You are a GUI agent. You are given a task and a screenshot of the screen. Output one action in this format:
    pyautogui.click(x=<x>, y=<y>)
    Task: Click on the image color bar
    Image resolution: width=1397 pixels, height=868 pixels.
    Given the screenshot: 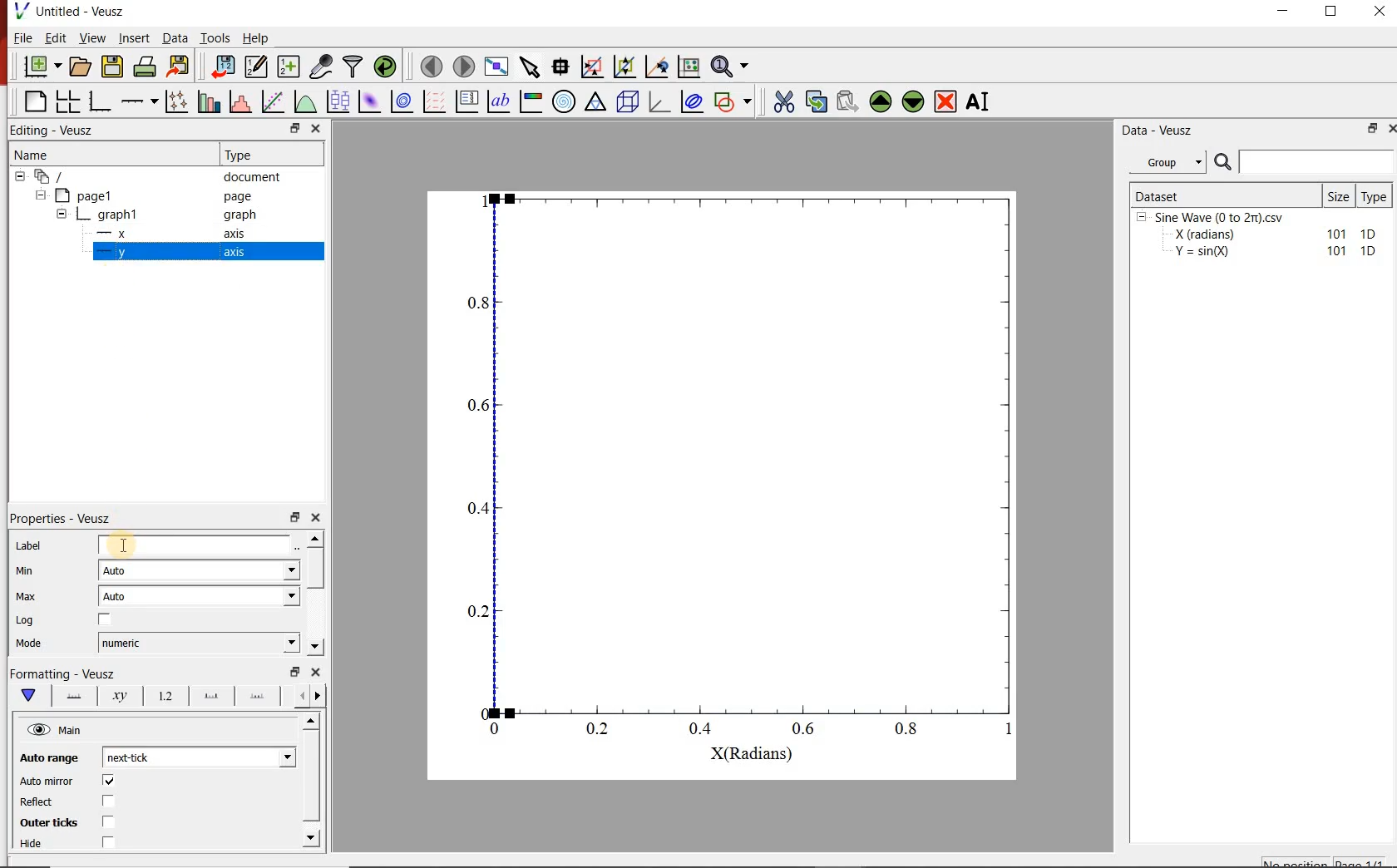 What is the action you would take?
    pyautogui.click(x=531, y=101)
    